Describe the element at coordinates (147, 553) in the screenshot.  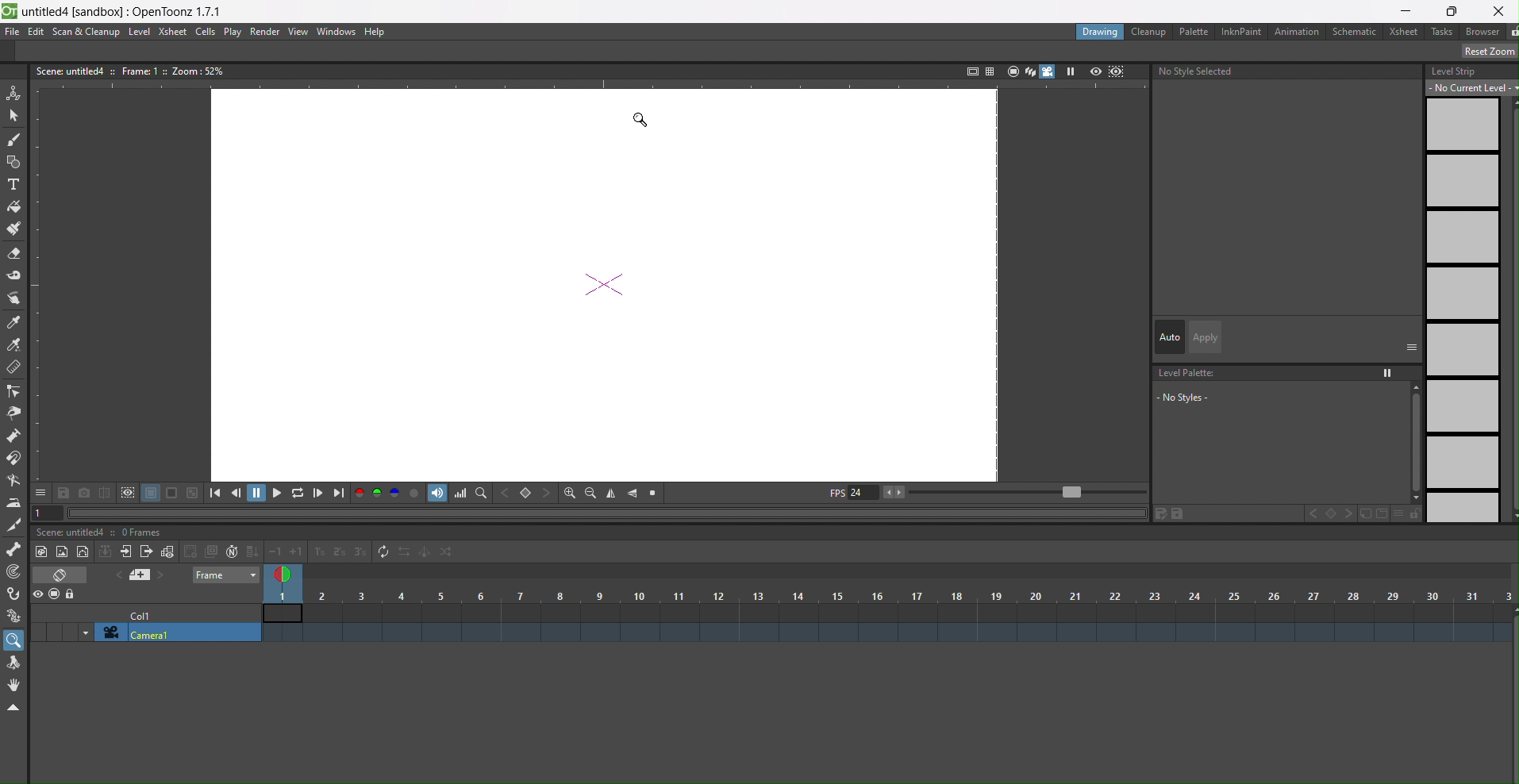
I see `next sub xsheey` at that location.